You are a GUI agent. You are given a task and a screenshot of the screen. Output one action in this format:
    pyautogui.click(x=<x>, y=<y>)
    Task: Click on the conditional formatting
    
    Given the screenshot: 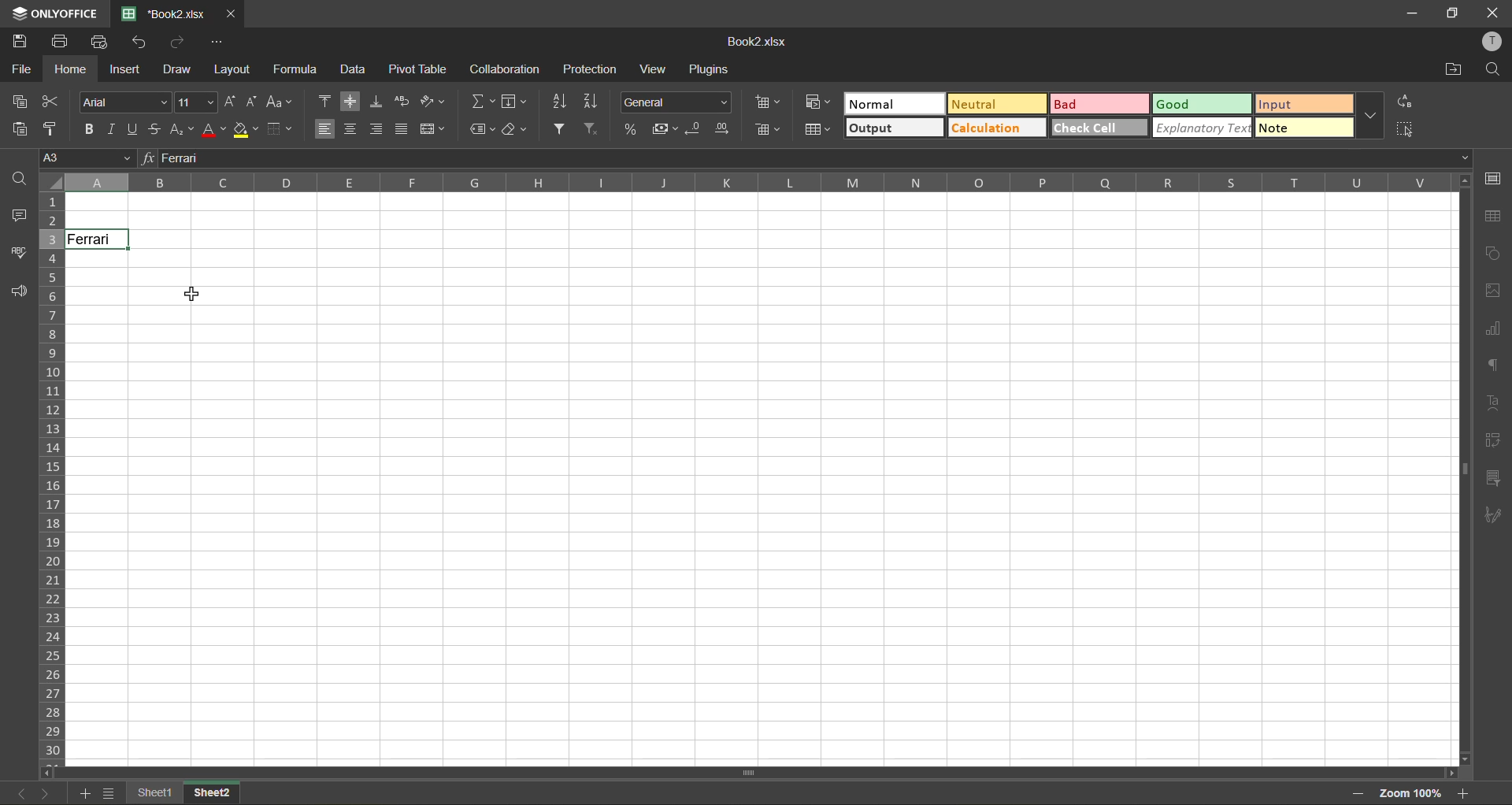 What is the action you would take?
    pyautogui.click(x=820, y=103)
    